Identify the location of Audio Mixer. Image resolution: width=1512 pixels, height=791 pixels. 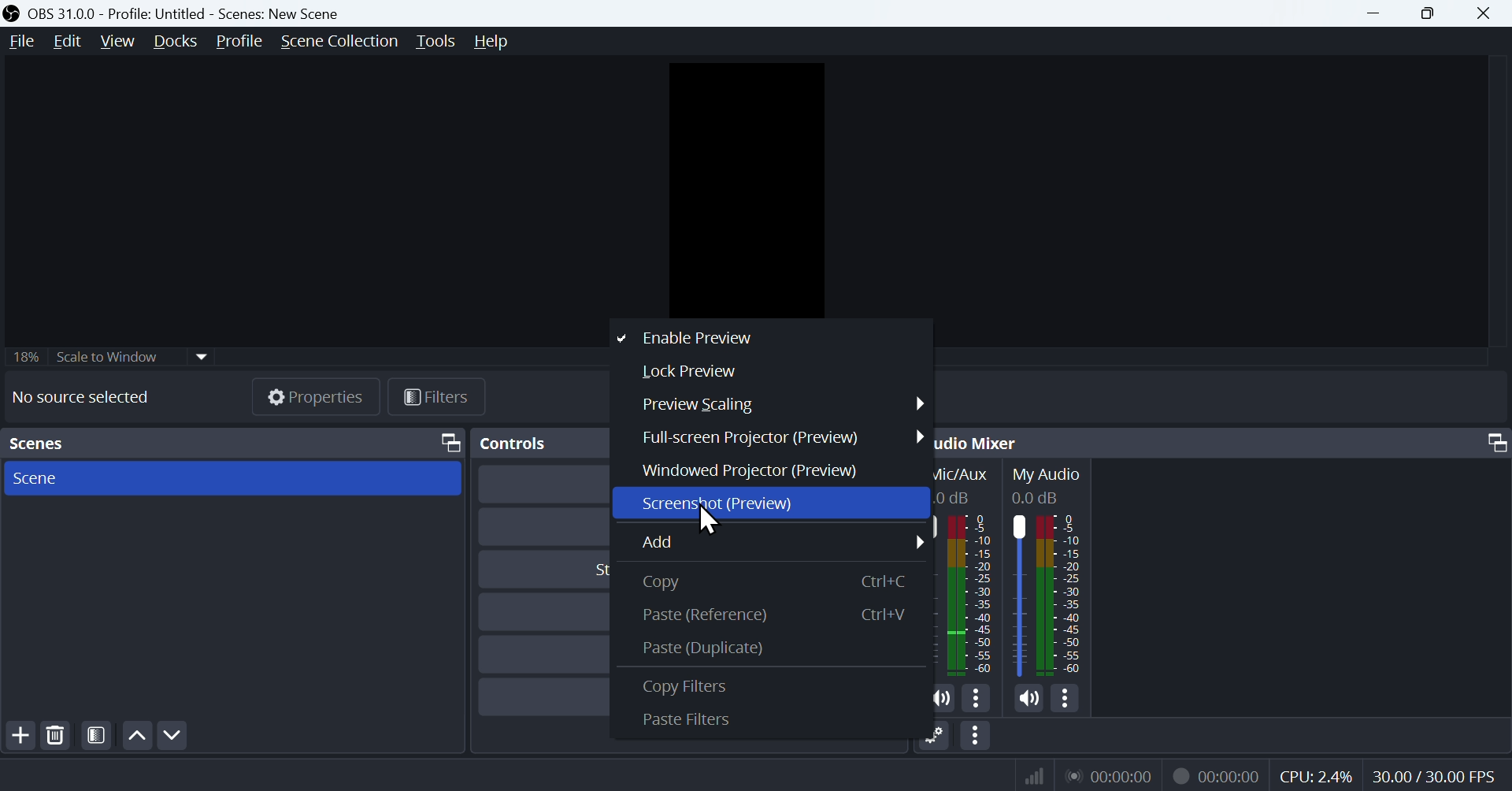
(981, 442).